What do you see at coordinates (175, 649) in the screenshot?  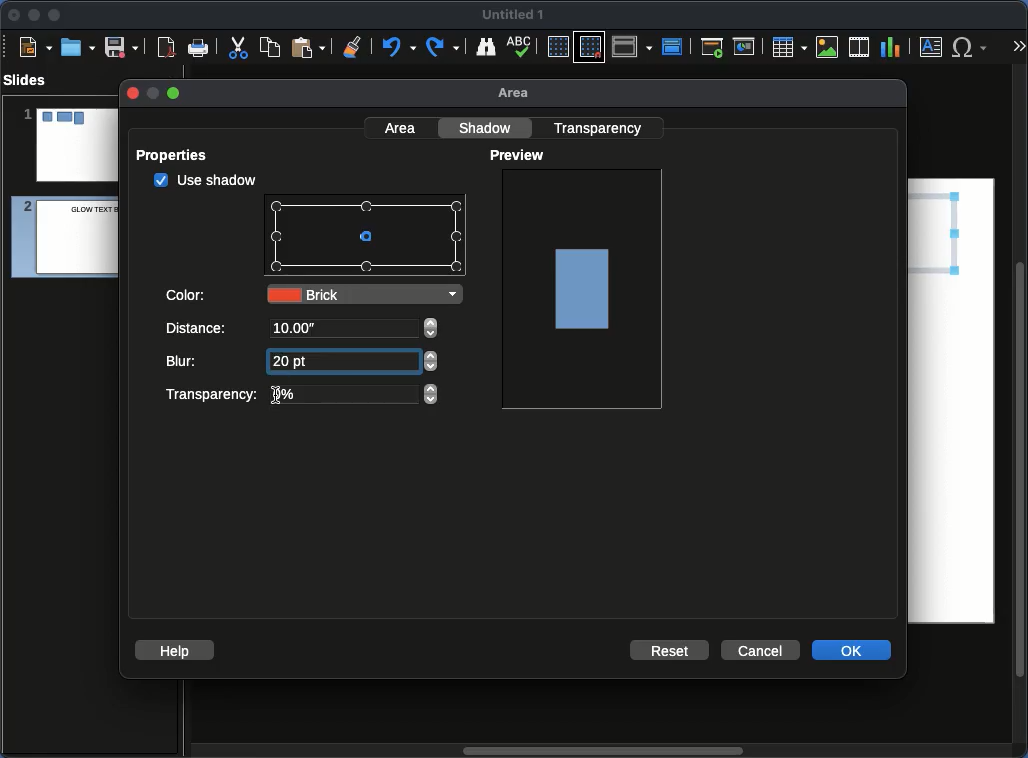 I see `Help` at bounding box center [175, 649].